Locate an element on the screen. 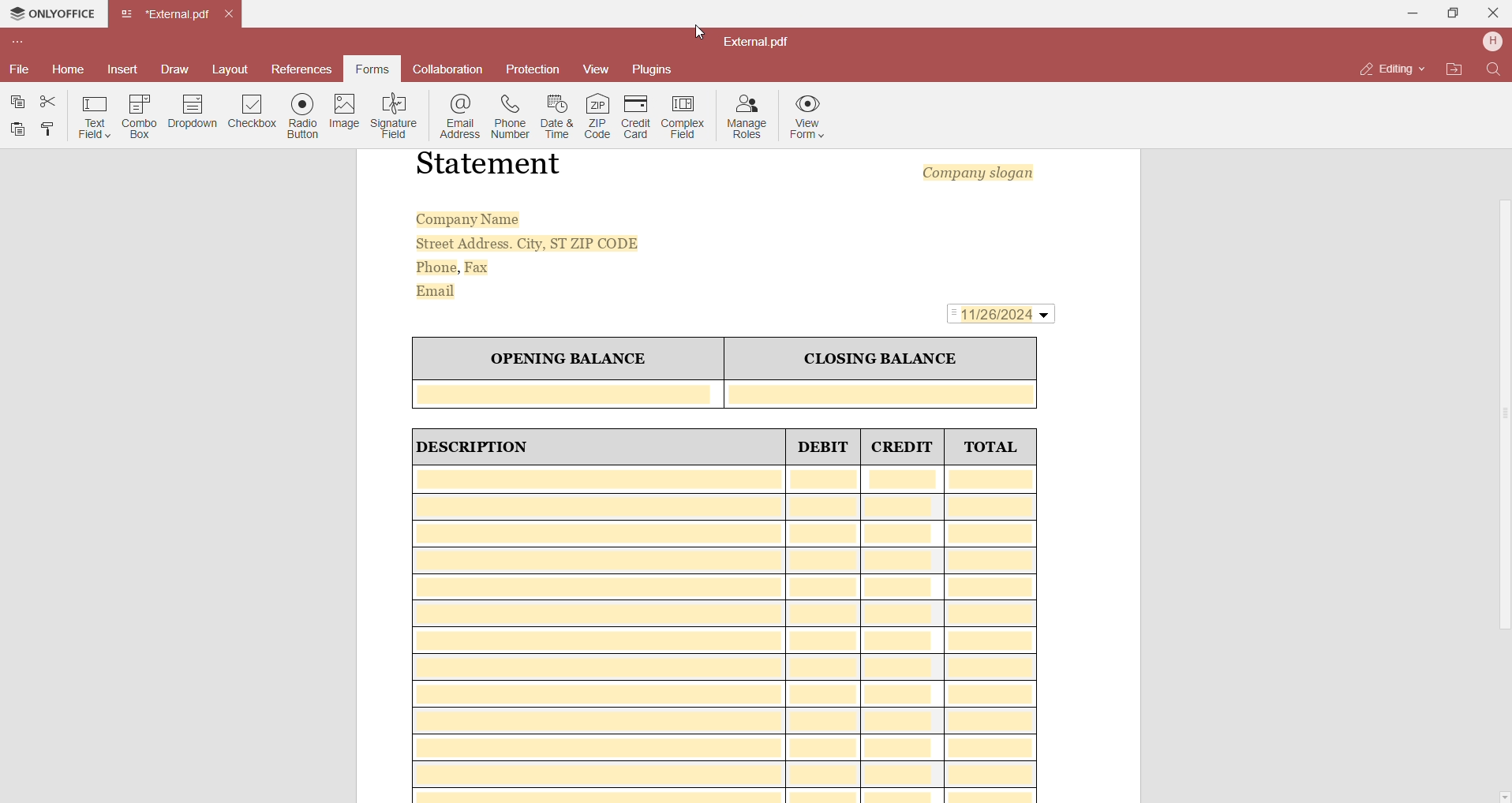 The height and width of the screenshot is (803, 1512). Combo Box is located at coordinates (138, 117).